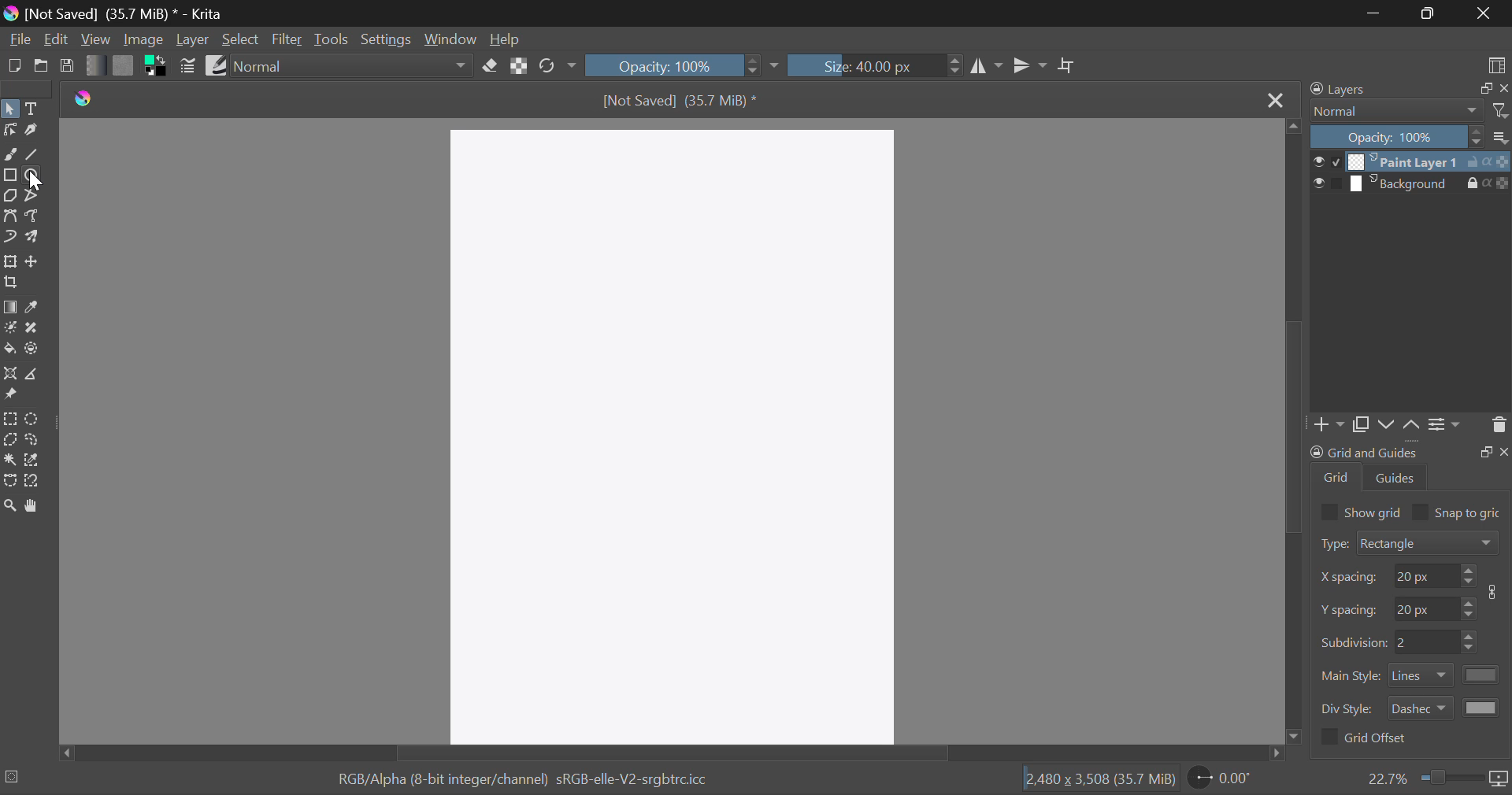  I want to click on Polyline, so click(33, 194).